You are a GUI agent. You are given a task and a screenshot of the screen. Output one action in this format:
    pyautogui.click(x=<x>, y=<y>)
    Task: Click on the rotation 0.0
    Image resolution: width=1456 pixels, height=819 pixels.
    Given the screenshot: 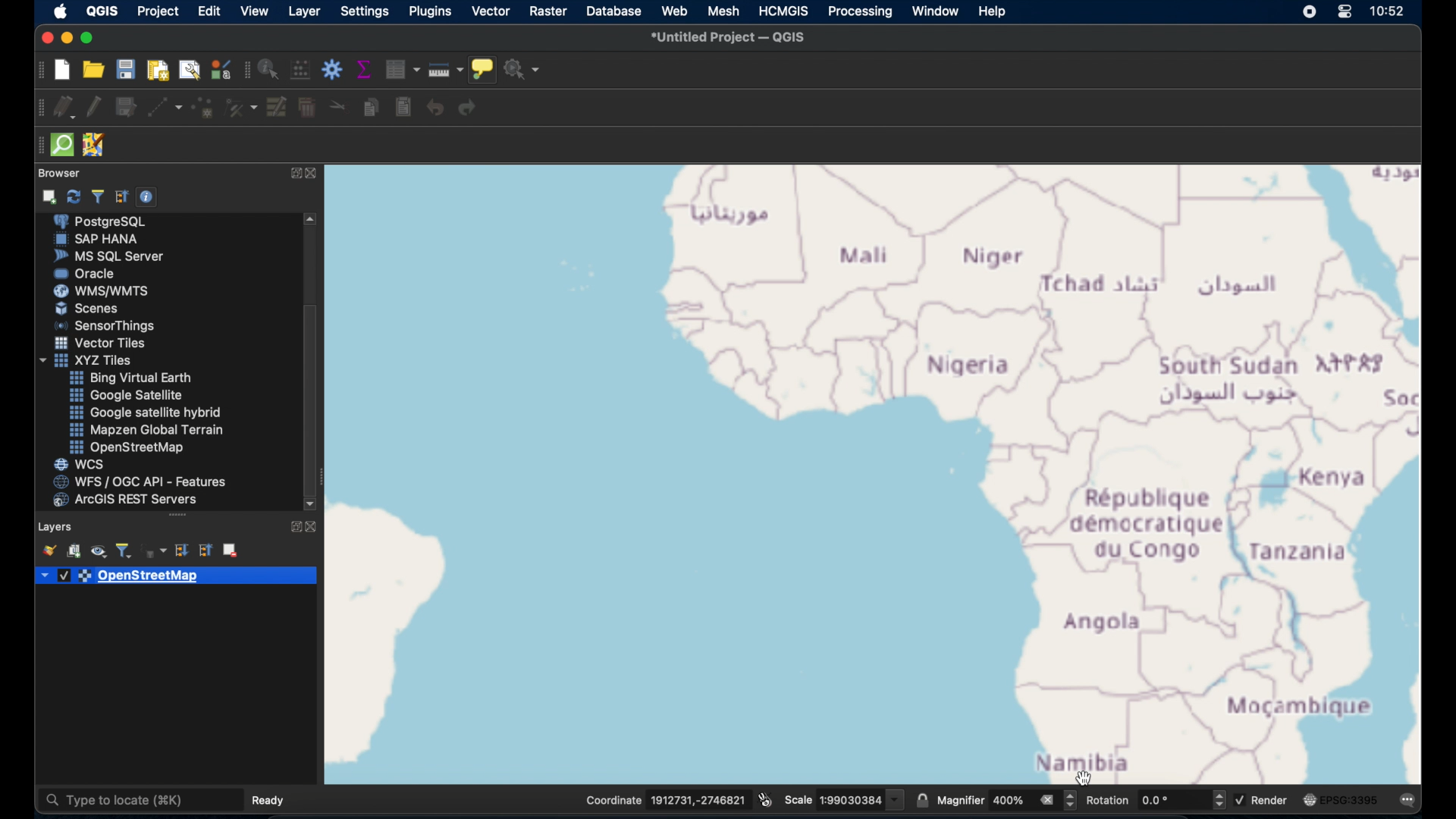 What is the action you would take?
    pyautogui.click(x=1155, y=799)
    